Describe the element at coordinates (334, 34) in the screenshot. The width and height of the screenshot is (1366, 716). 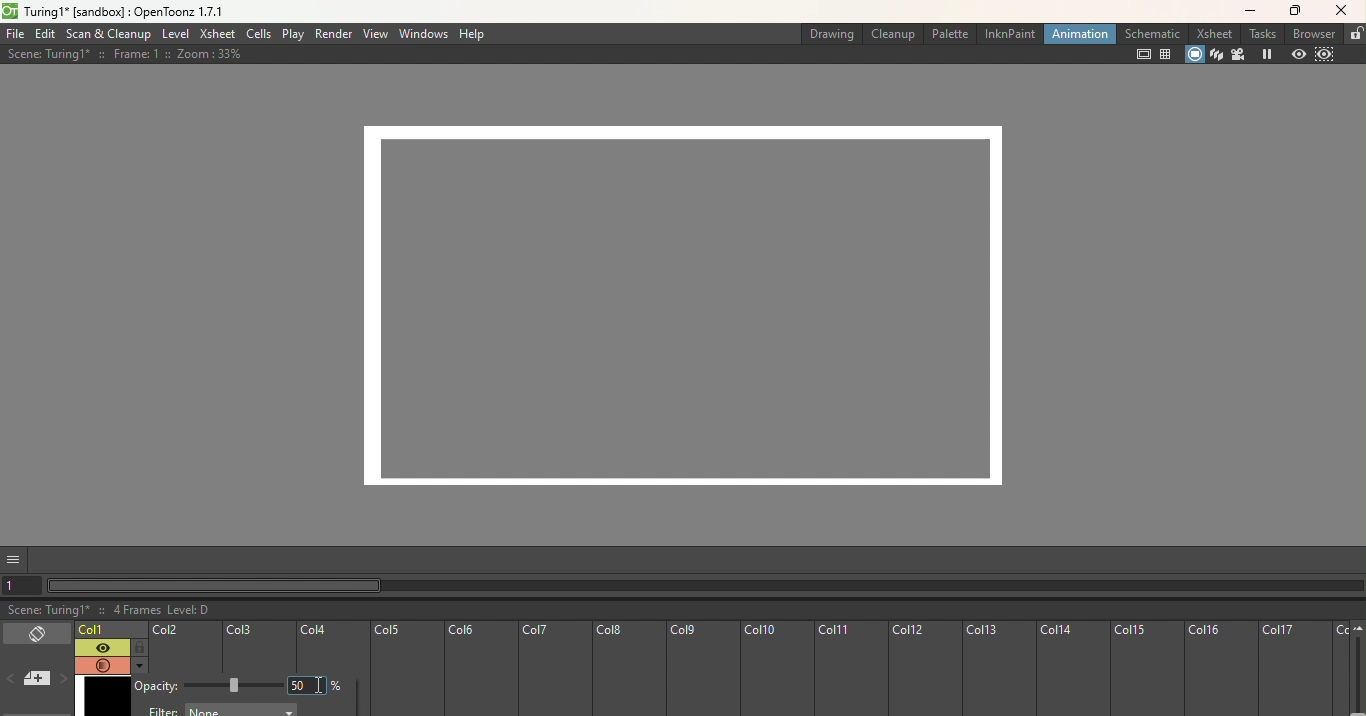
I see `Render` at that location.